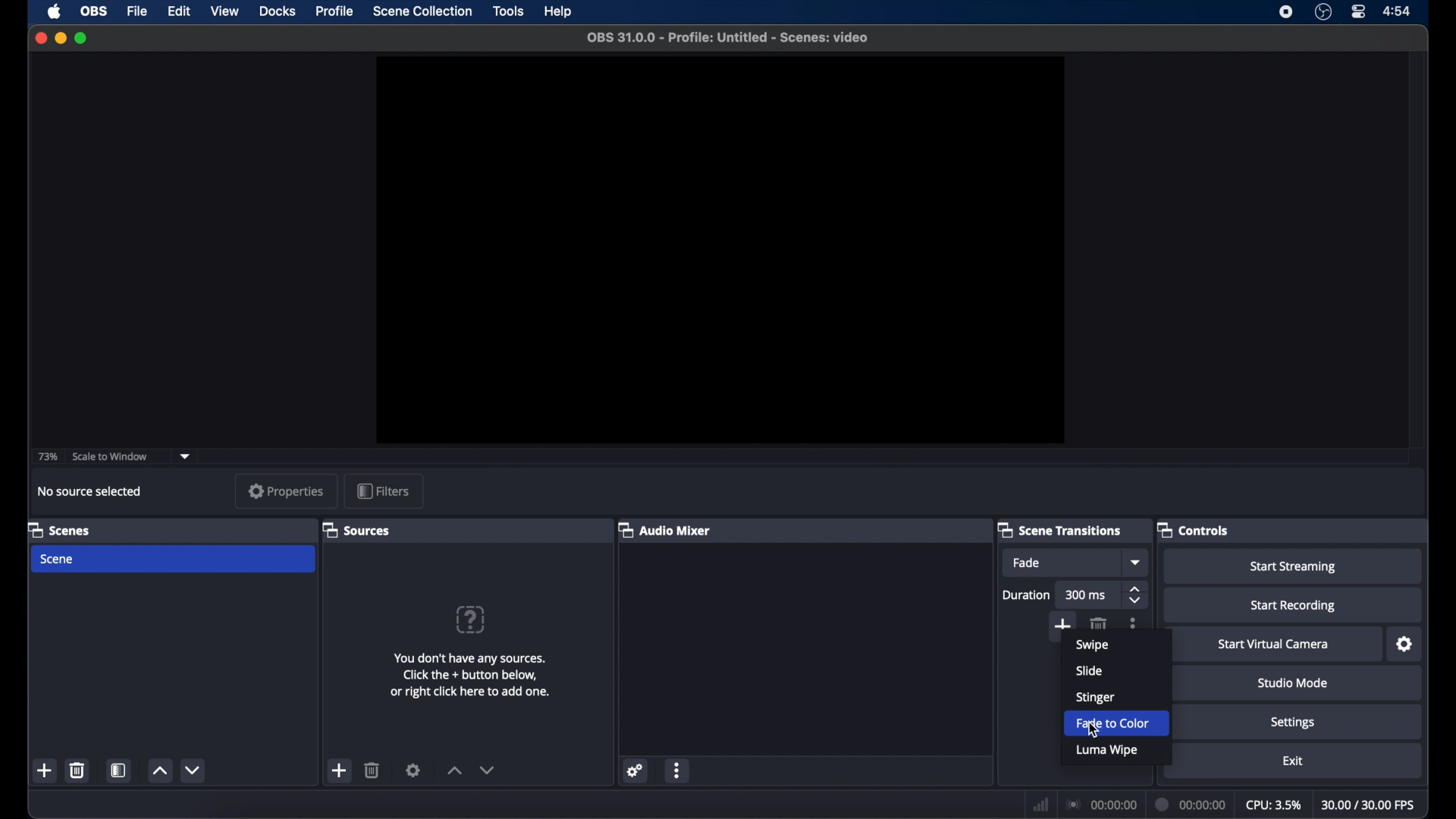 The height and width of the screenshot is (819, 1456). I want to click on no source selected, so click(89, 491).